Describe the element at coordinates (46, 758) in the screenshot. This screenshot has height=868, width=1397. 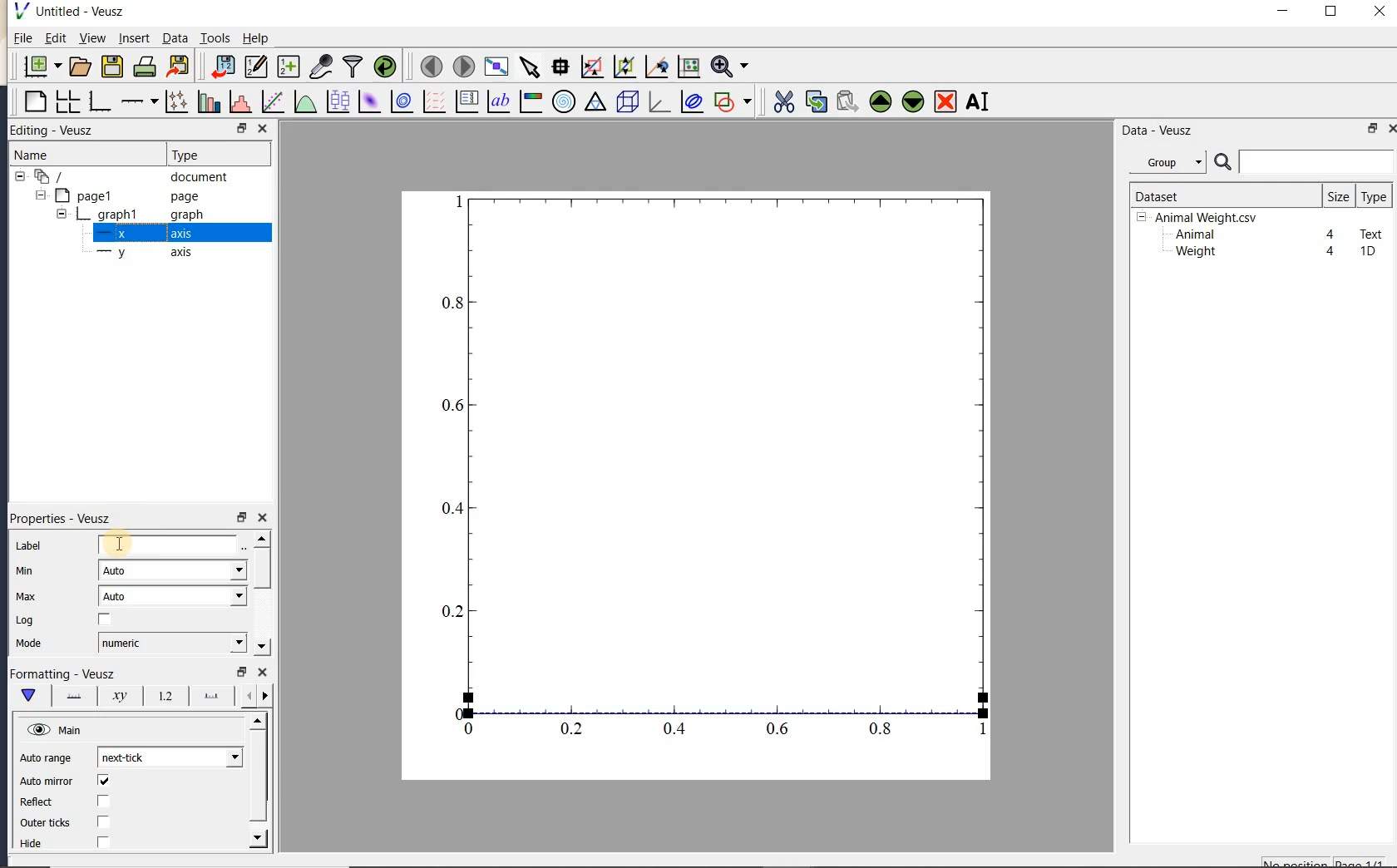
I see `Auto range` at that location.